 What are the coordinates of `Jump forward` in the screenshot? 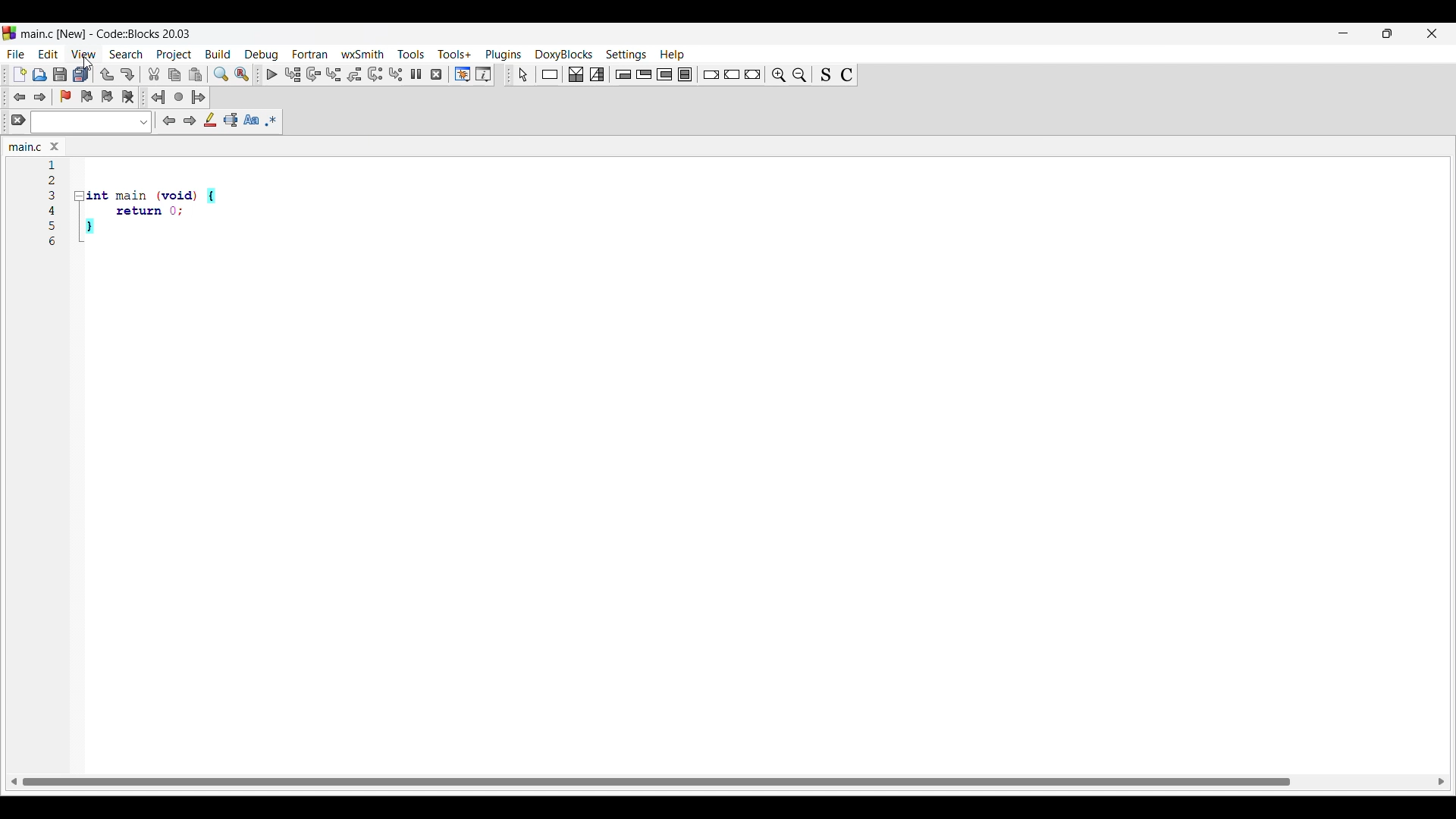 It's located at (198, 97).